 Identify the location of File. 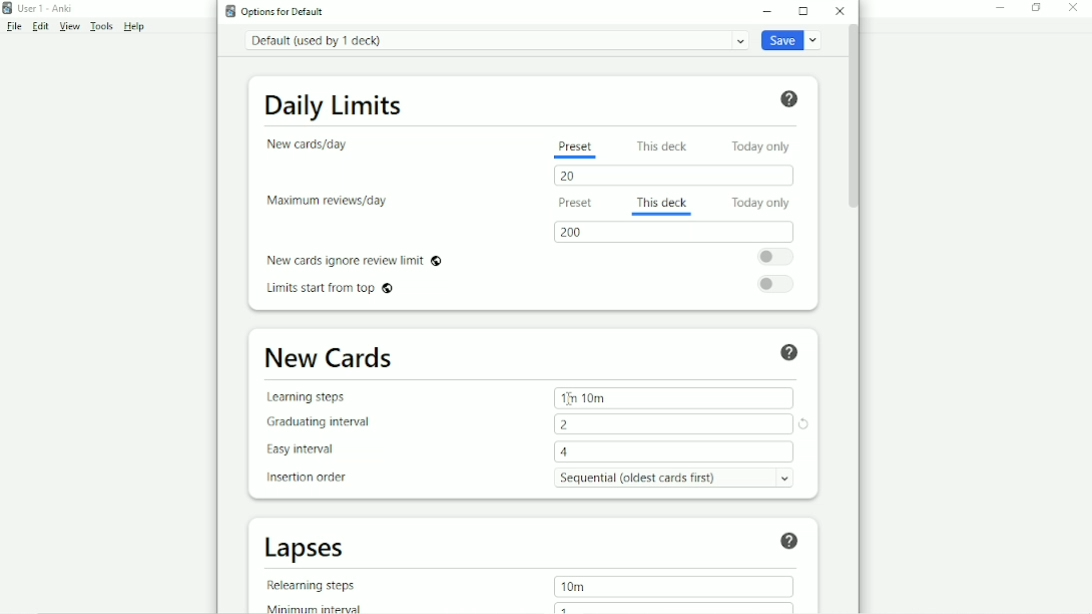
(16, 27).